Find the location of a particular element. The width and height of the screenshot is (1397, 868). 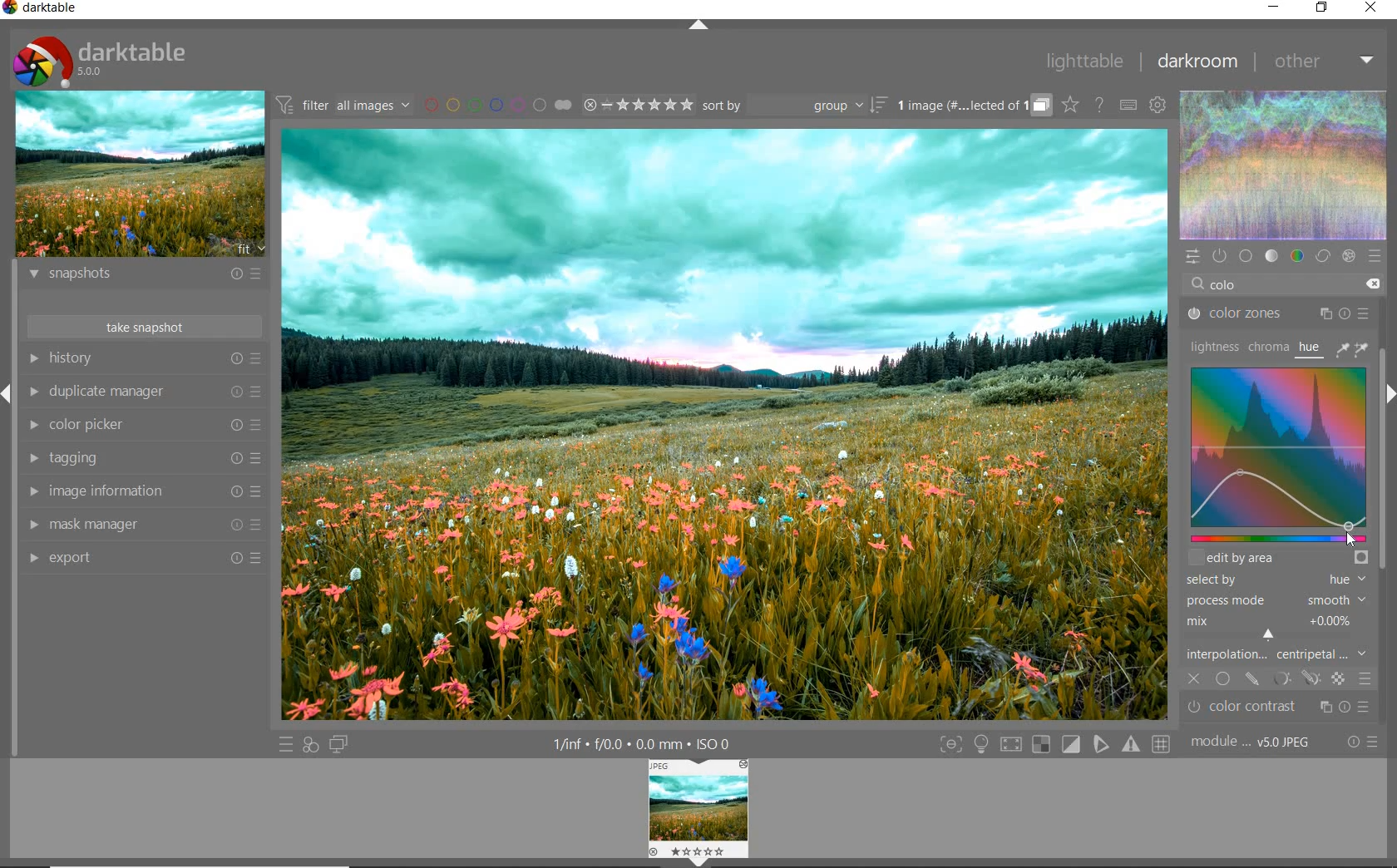

color picker is located at coordinates (144, 424).